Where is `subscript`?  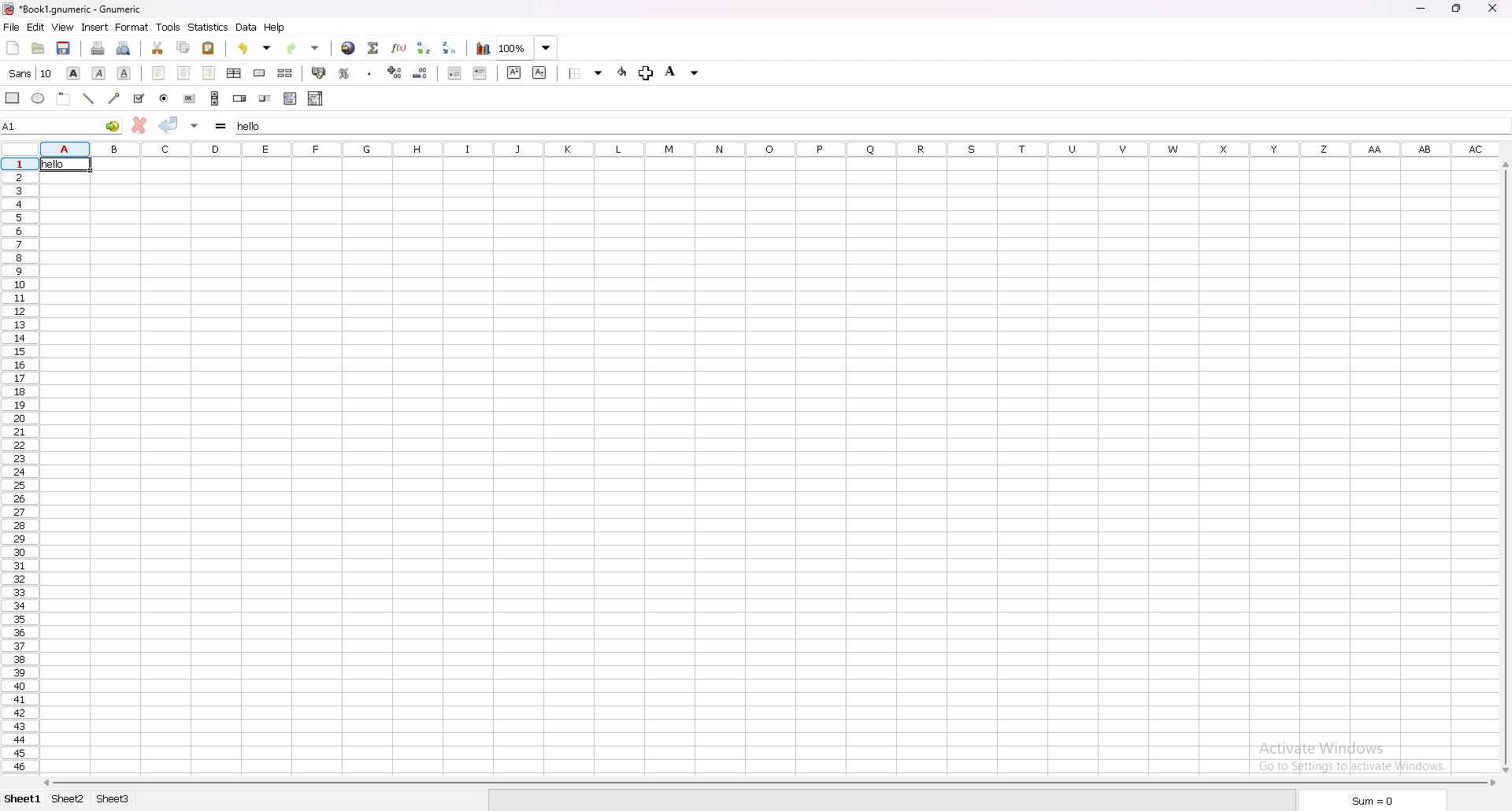
subscript is located at coordinates (539, 72).